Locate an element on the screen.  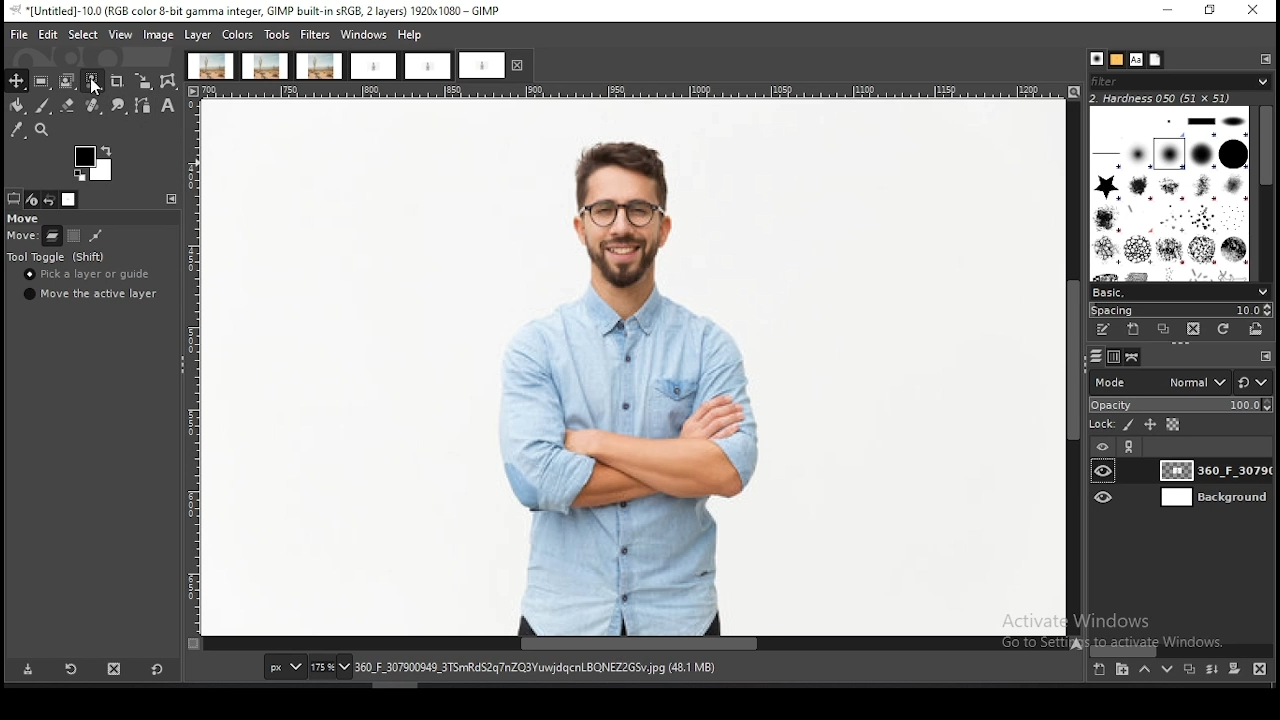
360_F_307900949_3TSmRdS2q7nZQ3YuwjdqcnLBQNEZ2GSv.jpg (48.1 mb) is located at coordinates (536, 668).